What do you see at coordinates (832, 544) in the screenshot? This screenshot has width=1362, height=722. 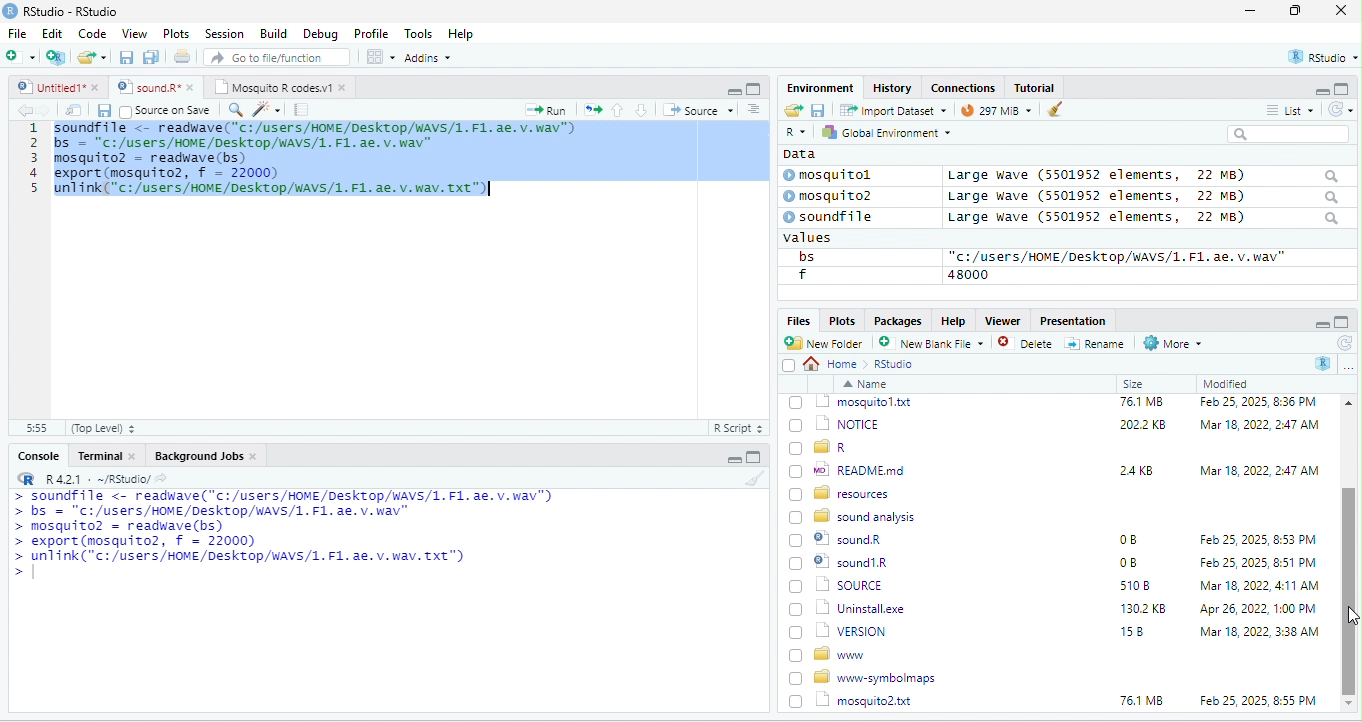 I see `(7) 1 NOTICE` at bounding box center [832, 544].